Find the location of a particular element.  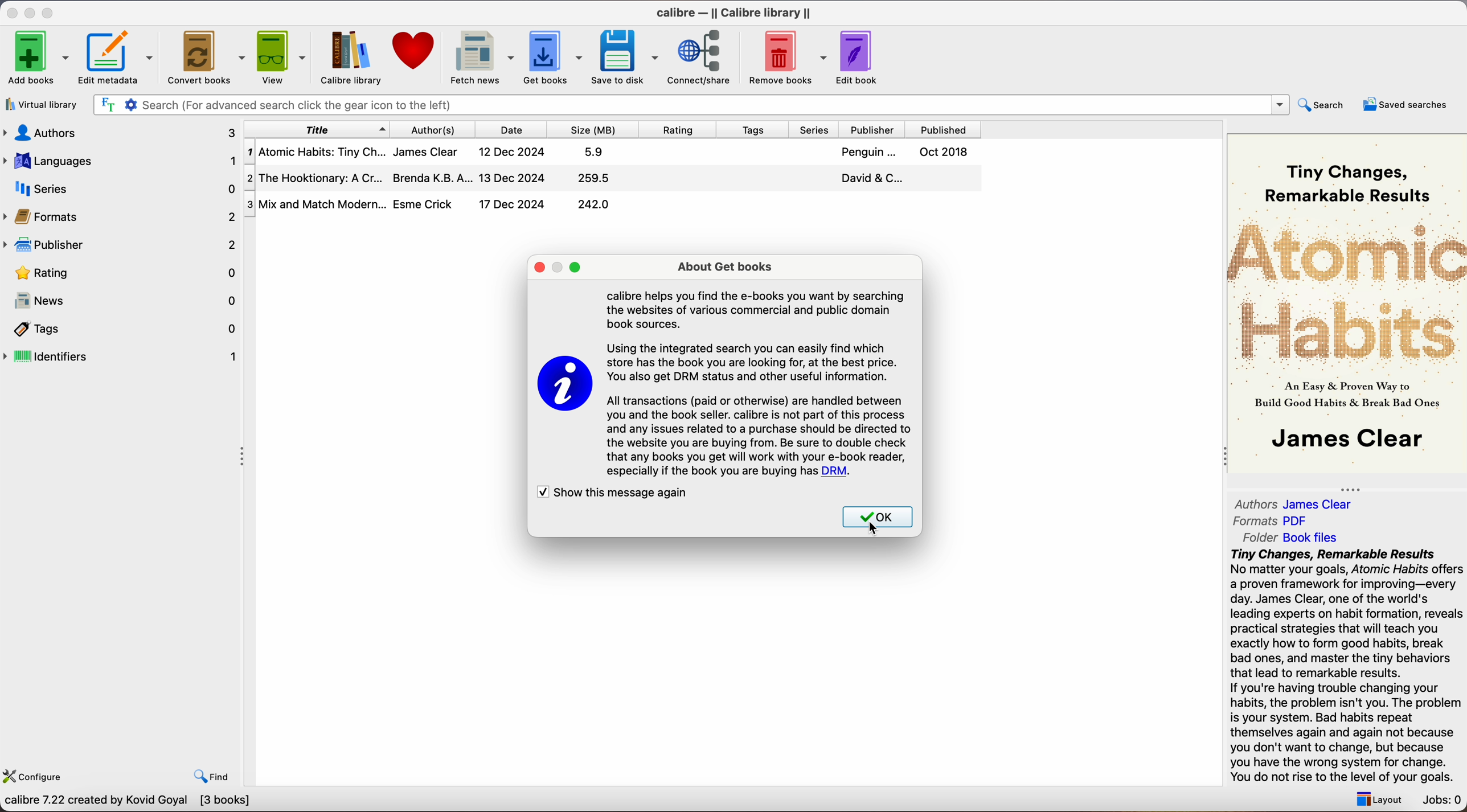

languages is located at coordinates (119, 160).